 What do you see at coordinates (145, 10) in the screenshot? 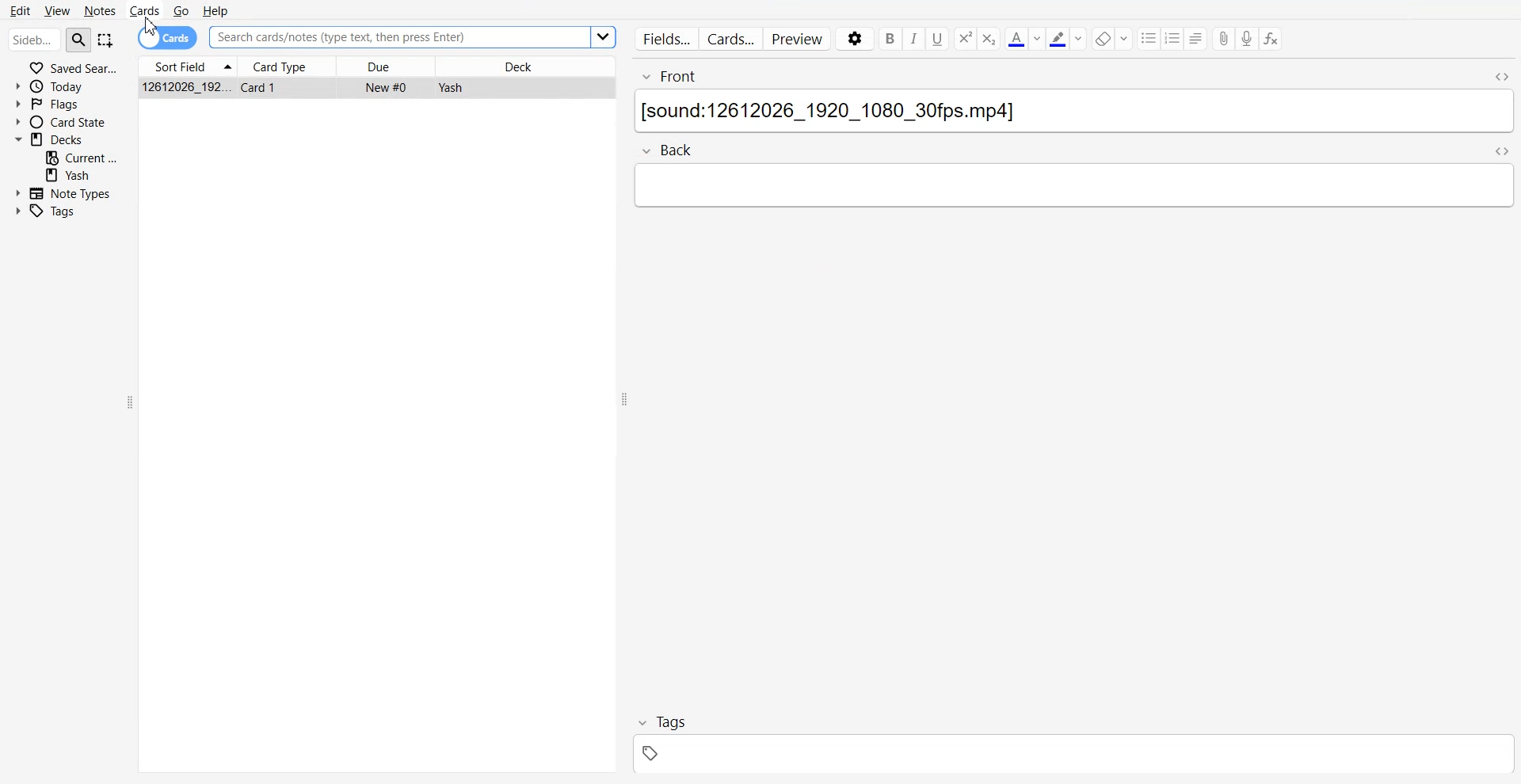
I see `Cards` at bounding box center [145, 10].